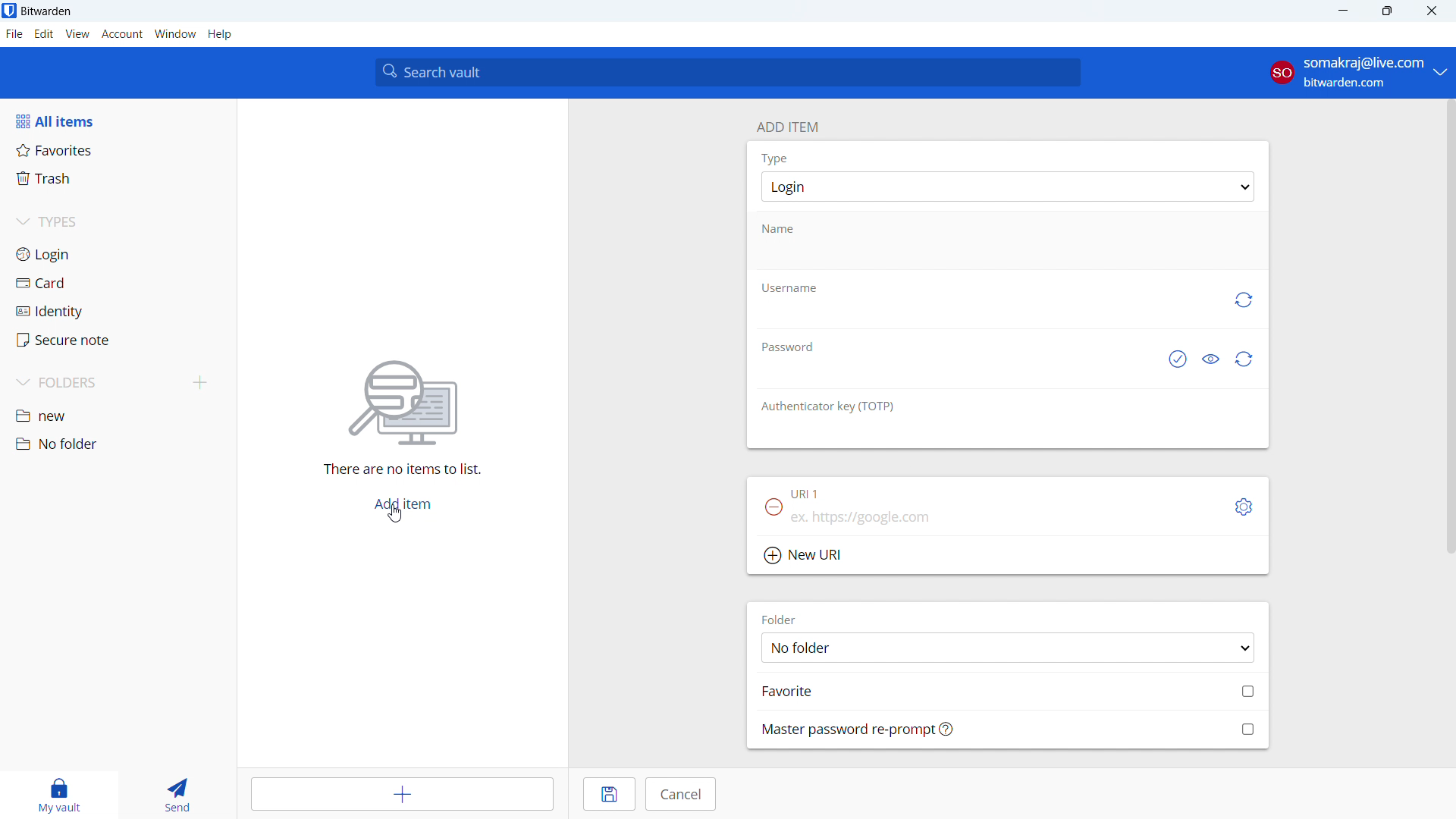  Describe the element at coordinates (786, 345) in the screenshot. I see `password` at that location.